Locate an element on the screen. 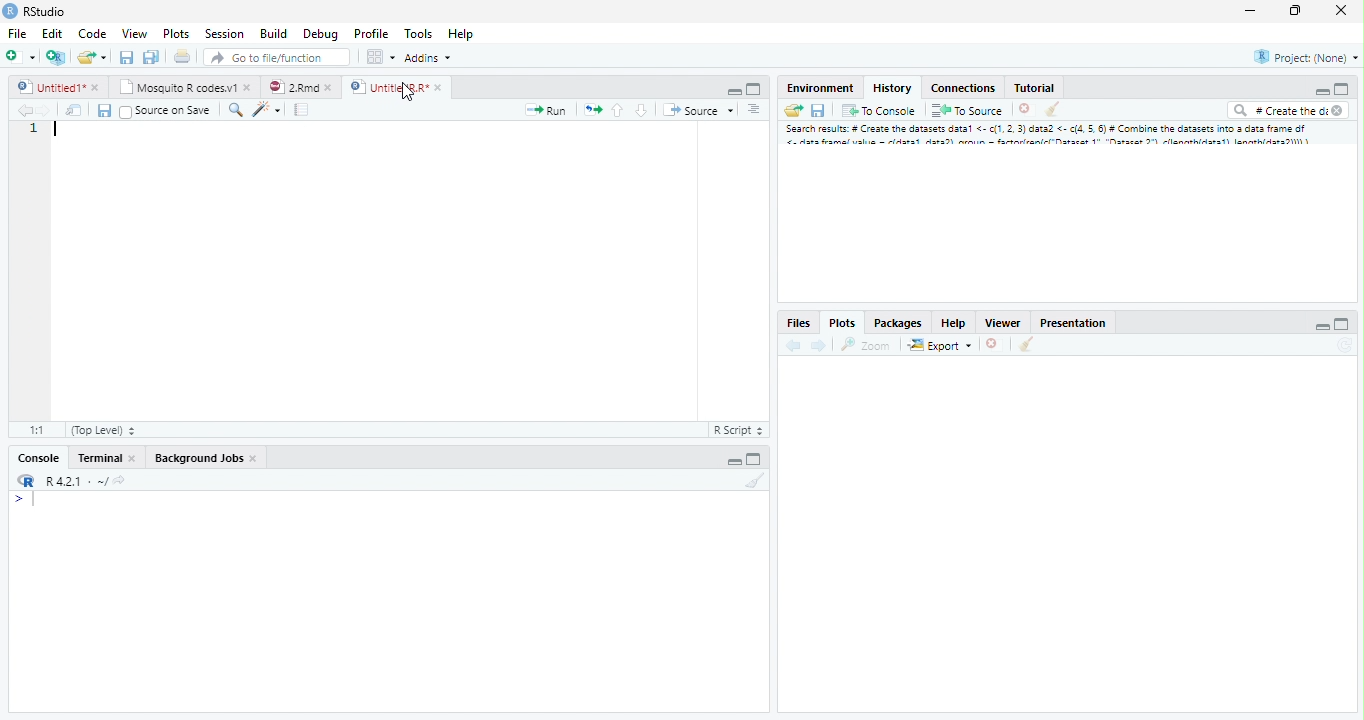  Next is located at coordinates (43, 114).